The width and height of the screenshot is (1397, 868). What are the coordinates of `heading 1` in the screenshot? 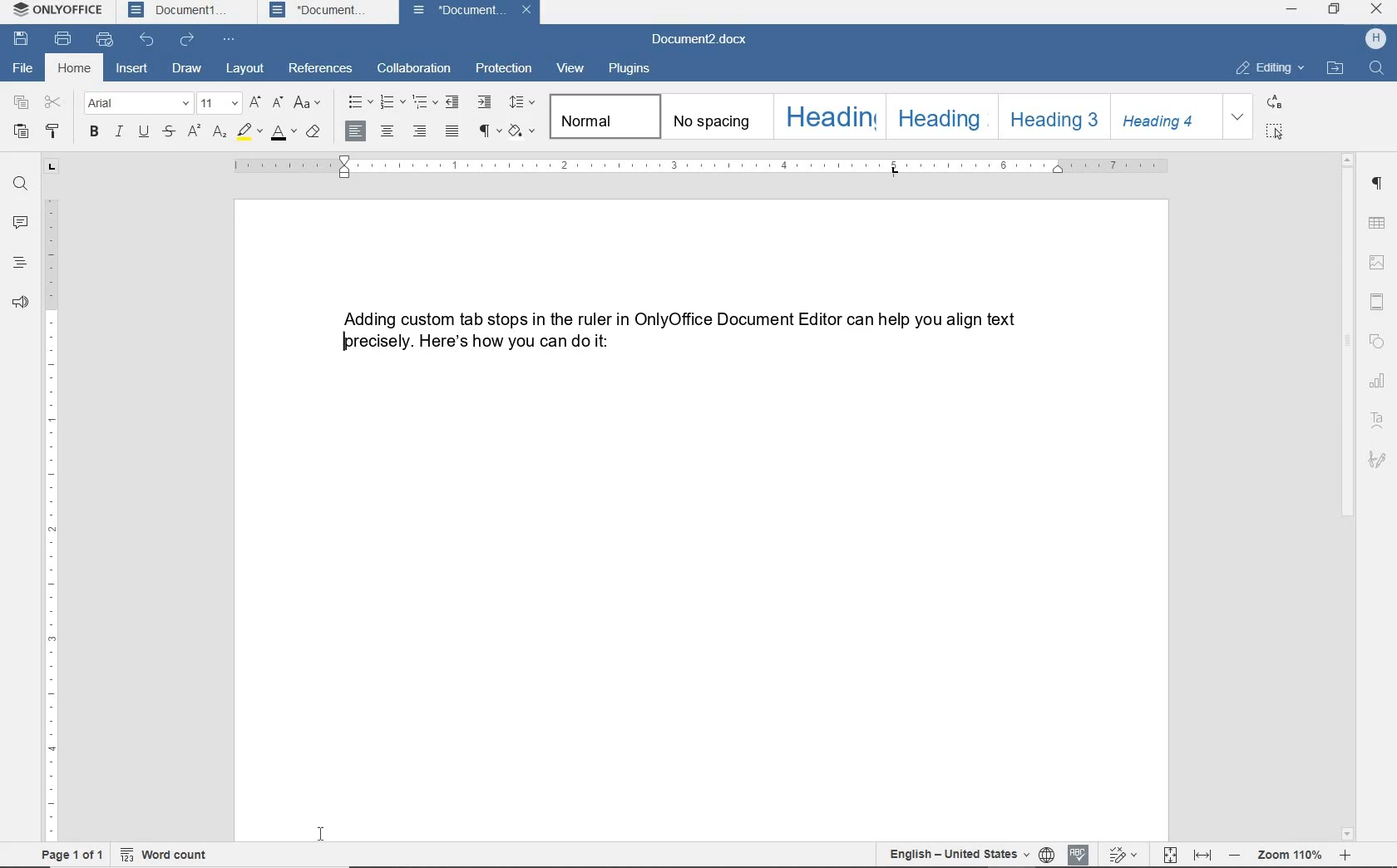 It's located at (827, 117).